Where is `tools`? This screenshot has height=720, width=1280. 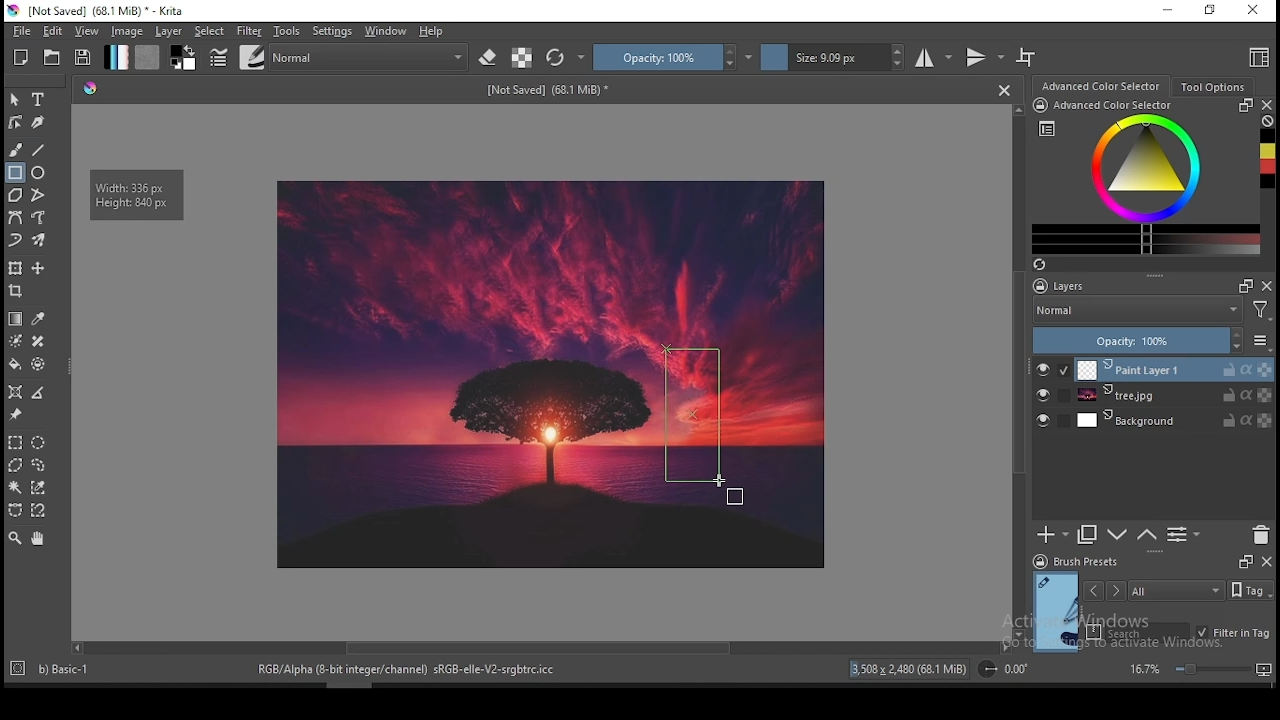 tools is located at coordinates (287, 32).